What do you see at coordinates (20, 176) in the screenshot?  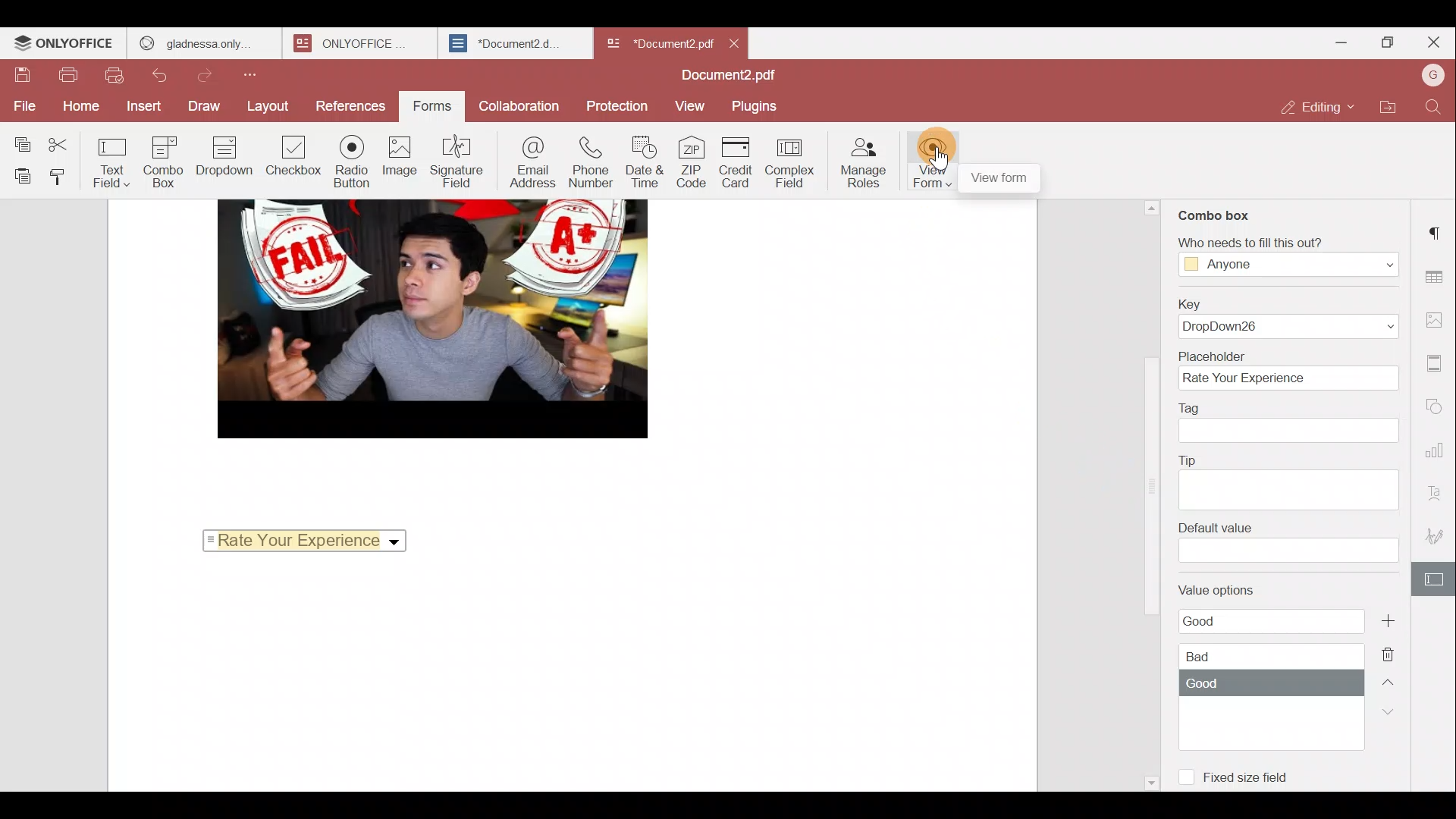 I see `Paste` at bounding box center [20, 176].